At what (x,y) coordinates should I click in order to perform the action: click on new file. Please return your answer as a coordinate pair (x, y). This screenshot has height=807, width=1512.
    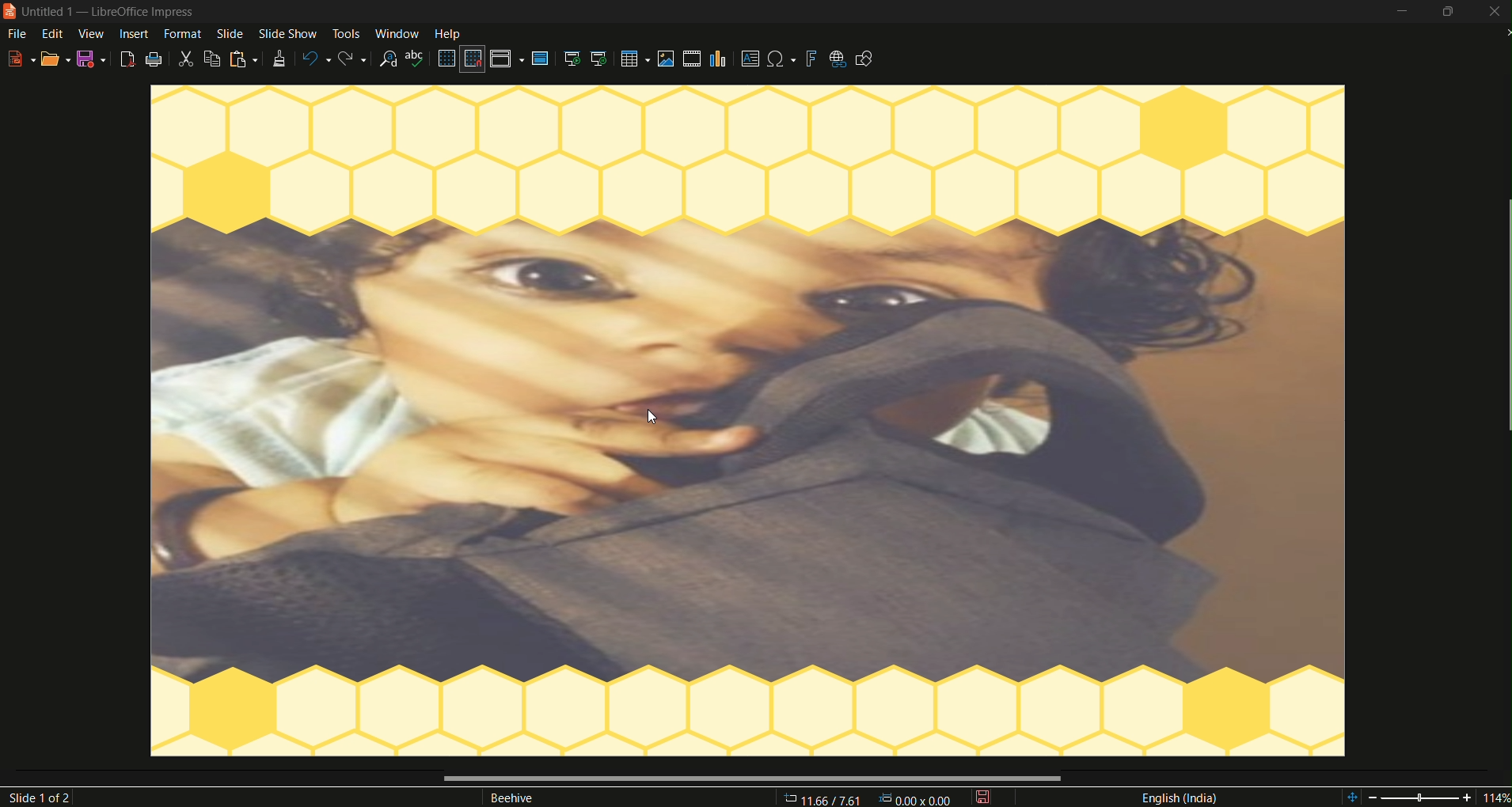
    Looking at the image, I should click on (21, 59).